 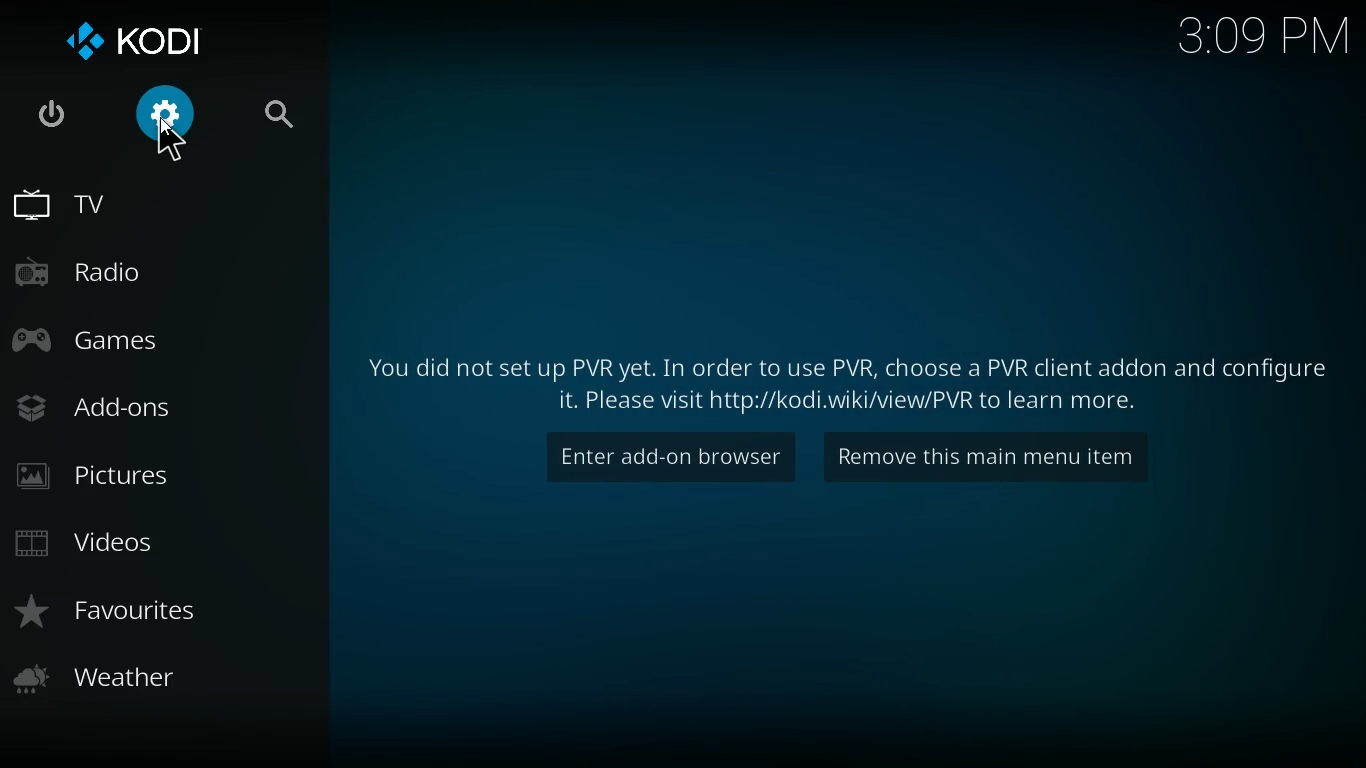 What do you see at coordinates (131, 206) in the screenshot?
I see `tv` at bounding box center [131, 206].